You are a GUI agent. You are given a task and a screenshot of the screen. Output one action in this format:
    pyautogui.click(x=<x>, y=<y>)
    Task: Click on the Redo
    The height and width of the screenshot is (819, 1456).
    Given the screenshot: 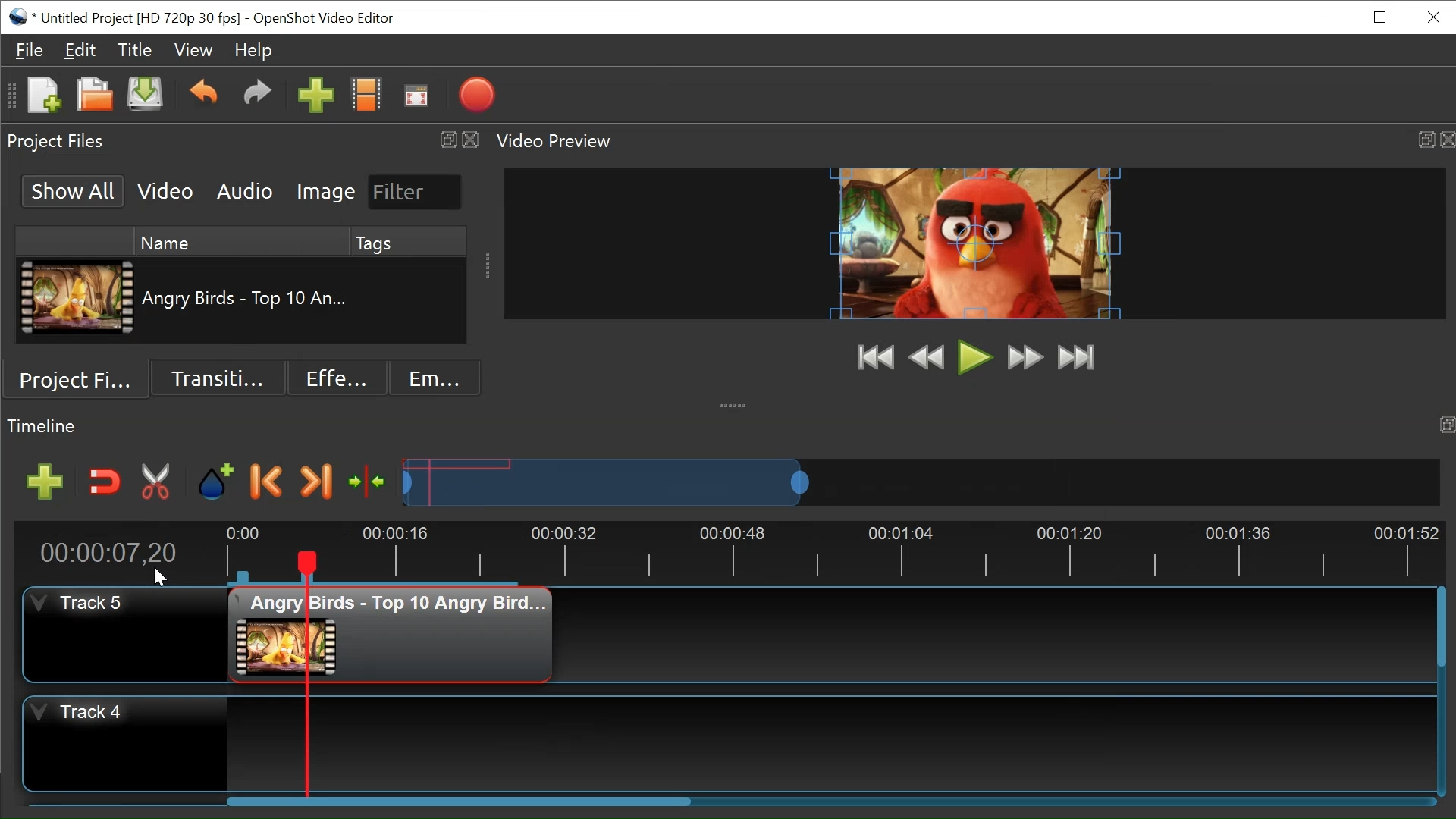 What is the action you would take?
    pyautogui.click(x=259, y=97)
    